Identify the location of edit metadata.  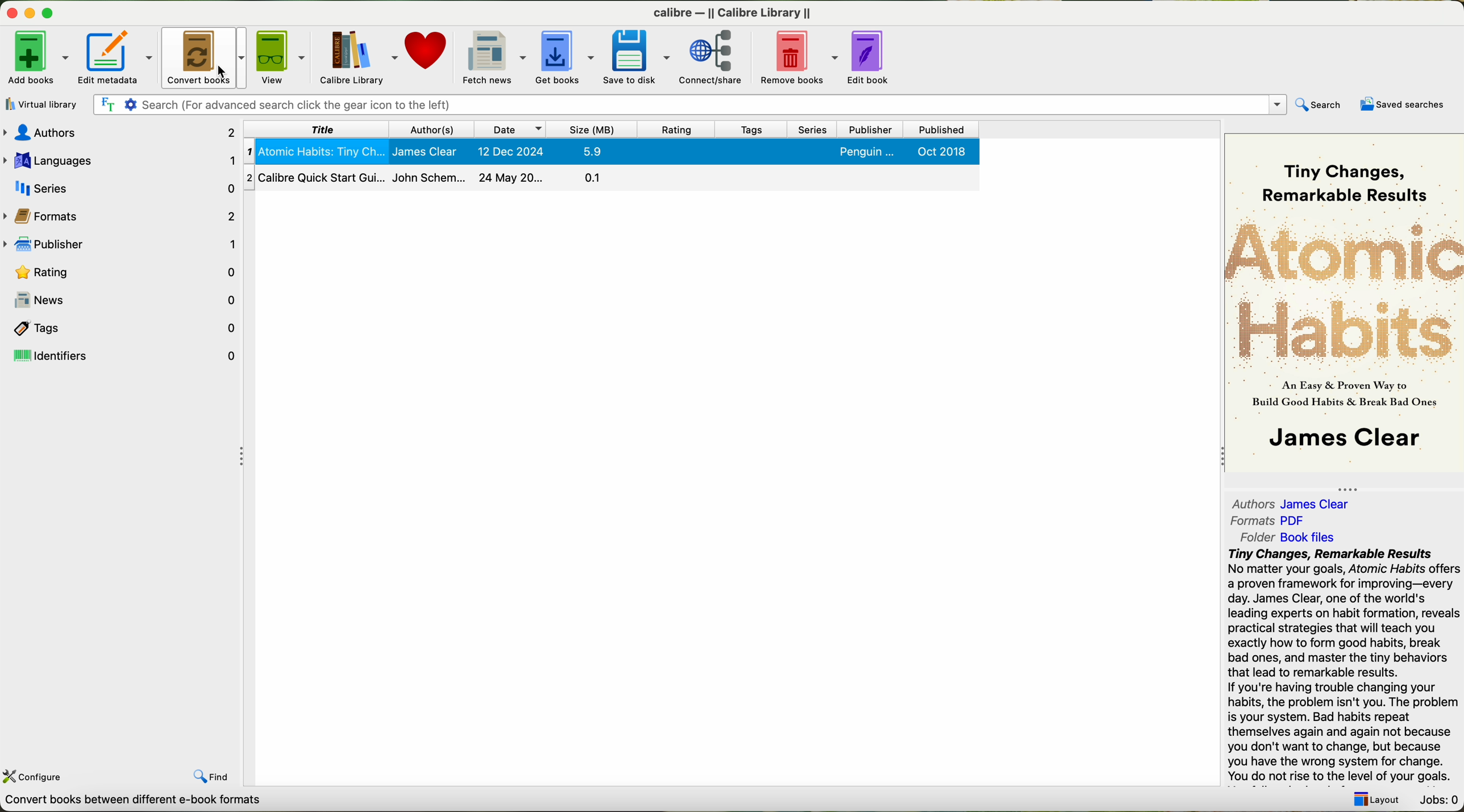
(117, 56).